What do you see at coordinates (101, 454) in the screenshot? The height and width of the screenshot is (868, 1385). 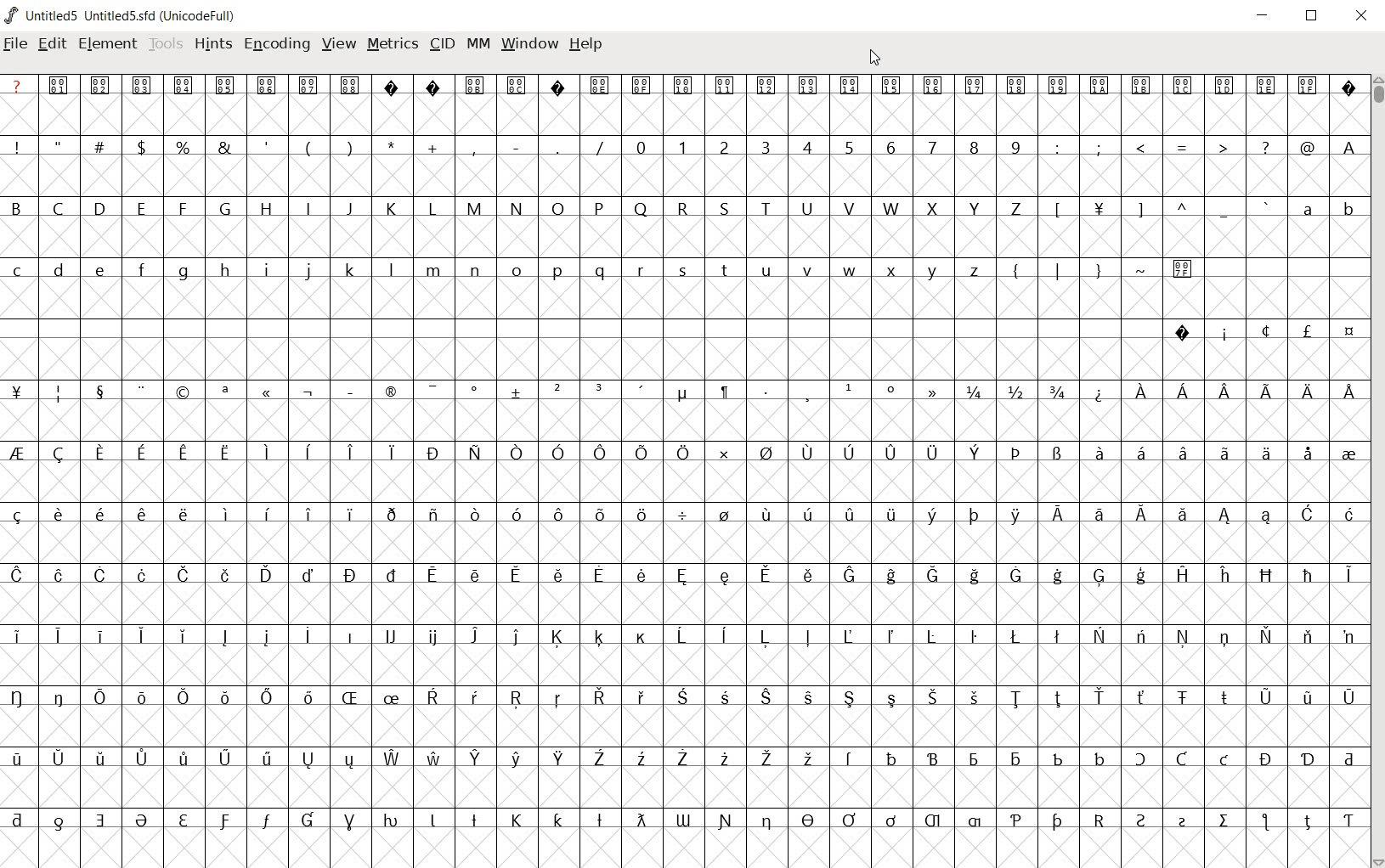 I see `Symbol` at bounding box center [101, 454].